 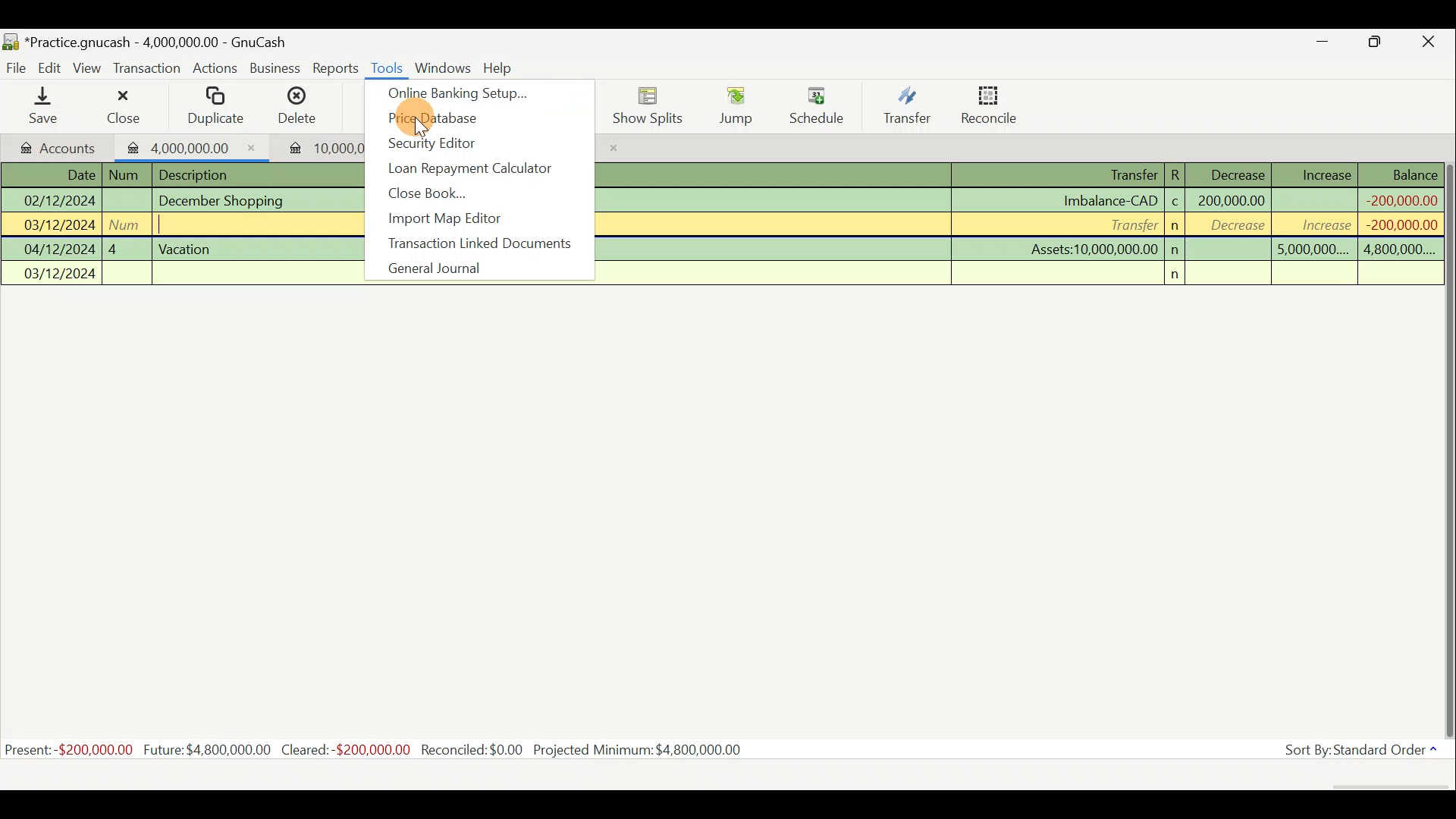 I want to click on Edit, so click(x=52, y=67).